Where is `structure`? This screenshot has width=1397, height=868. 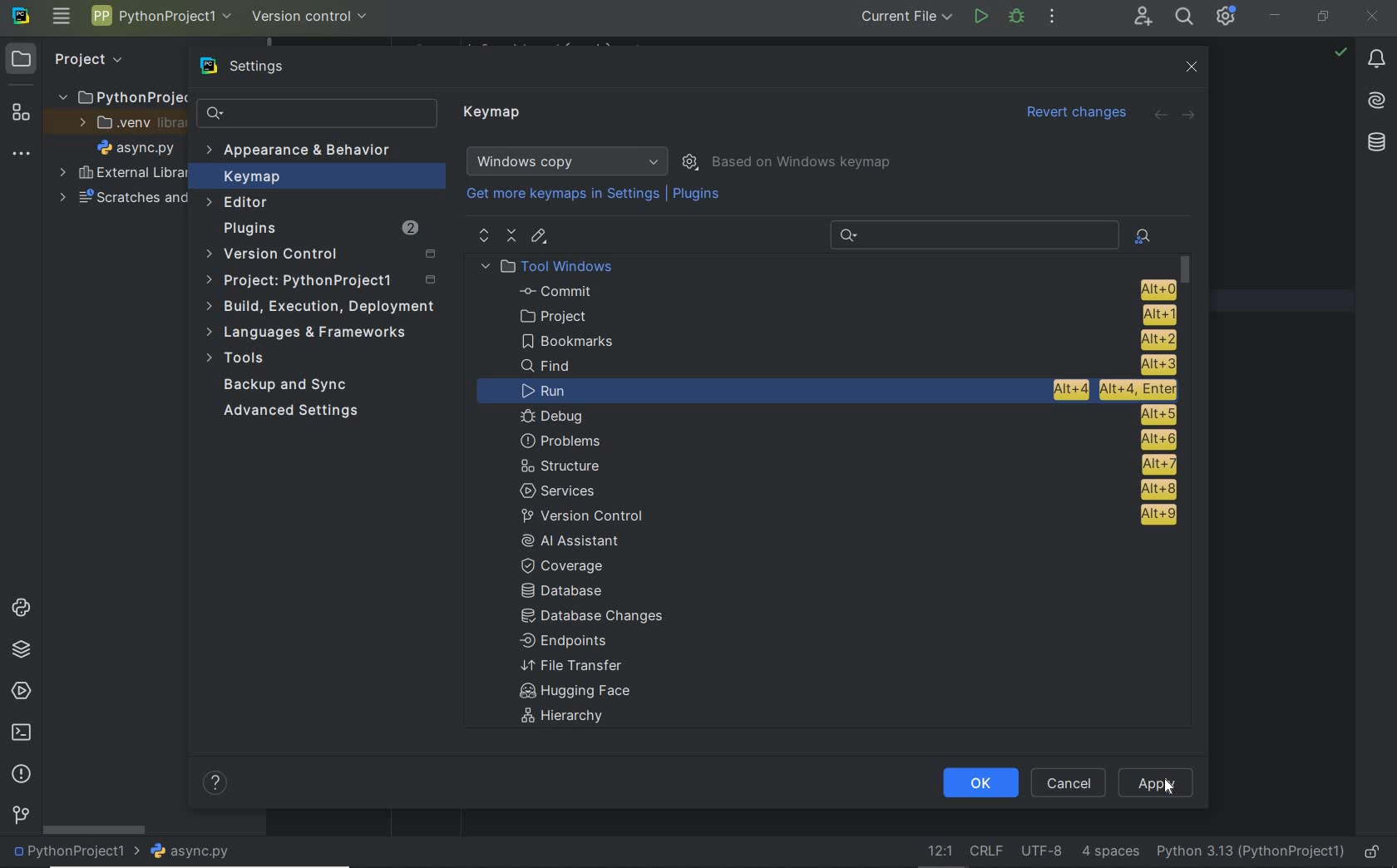
structure is located at coordinates (847, 465).